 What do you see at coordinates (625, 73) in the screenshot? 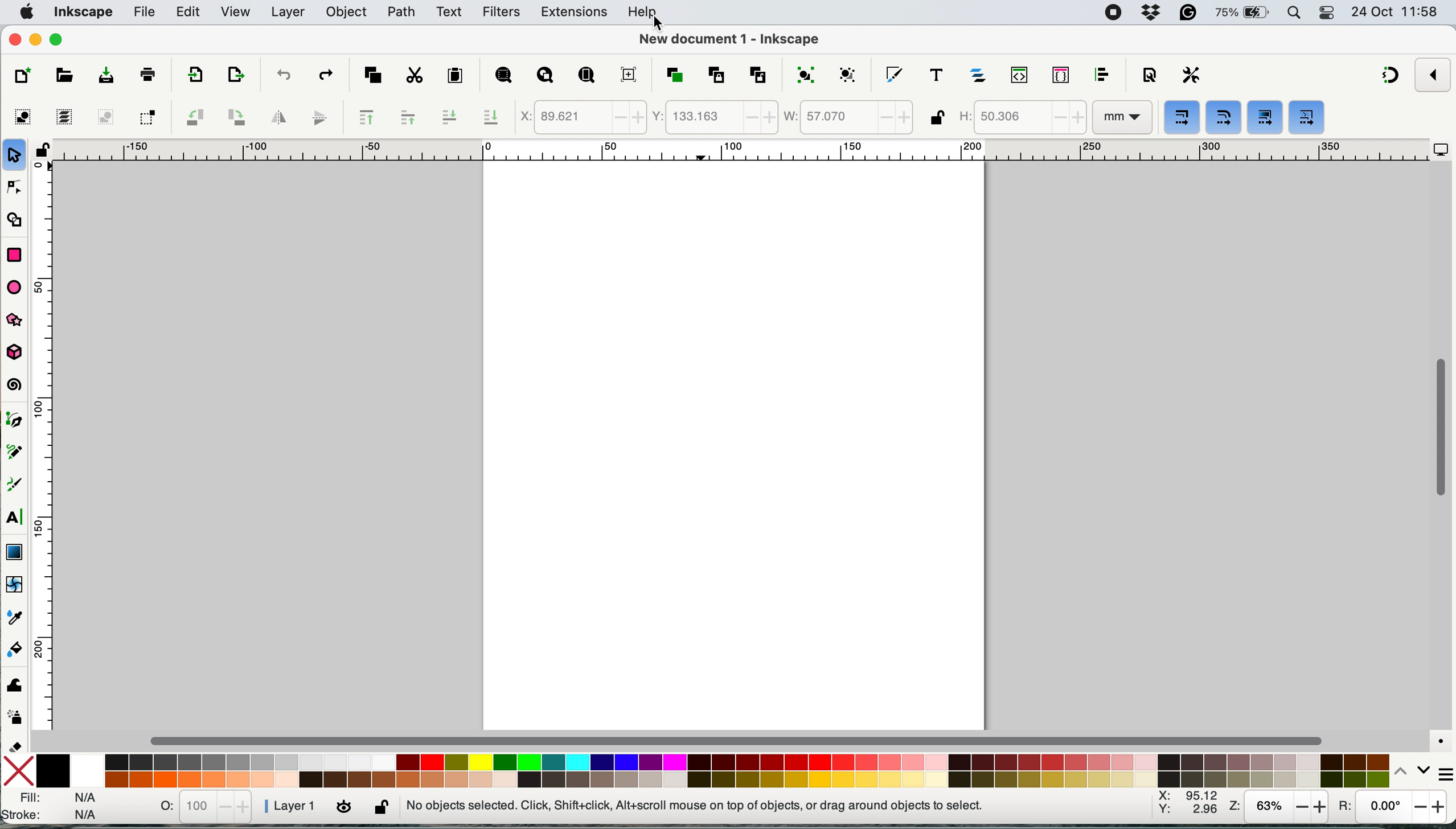
I see `zoom center page` at bounding box center [625, 73].